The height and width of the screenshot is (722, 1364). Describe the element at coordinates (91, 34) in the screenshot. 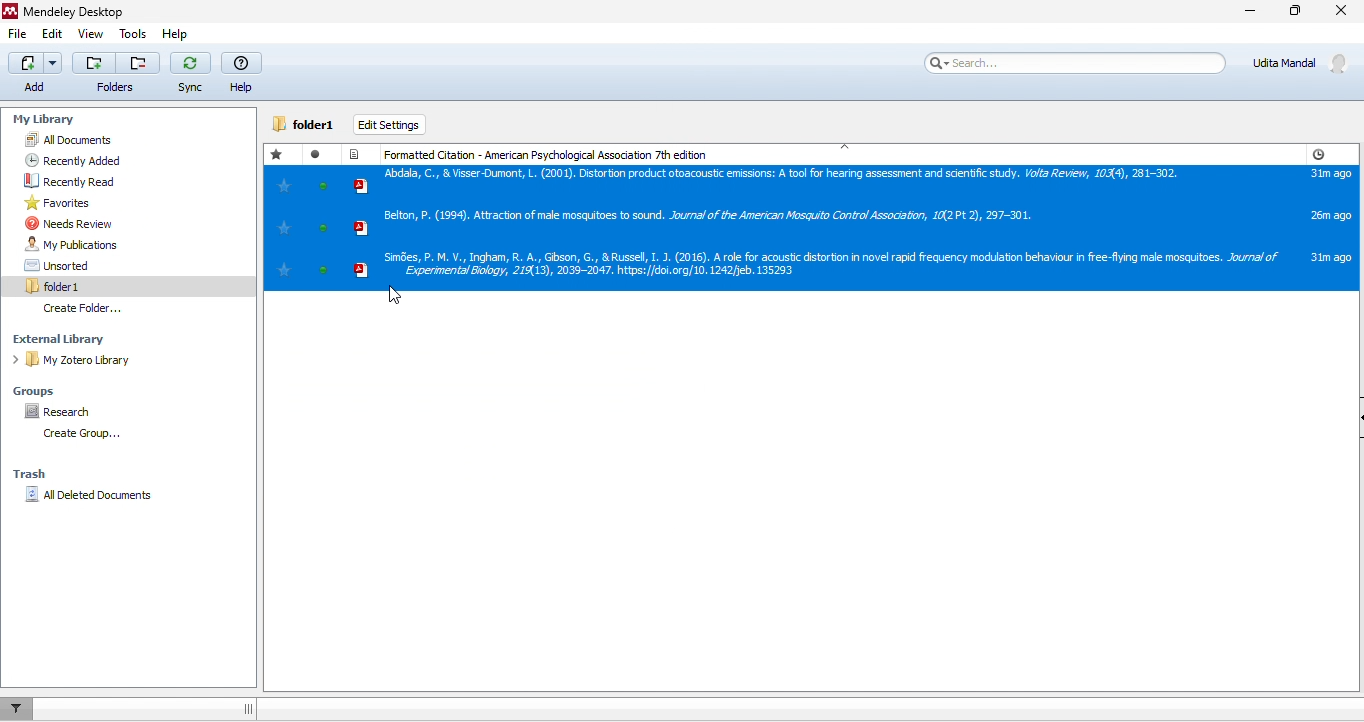

I see `view` at that location.